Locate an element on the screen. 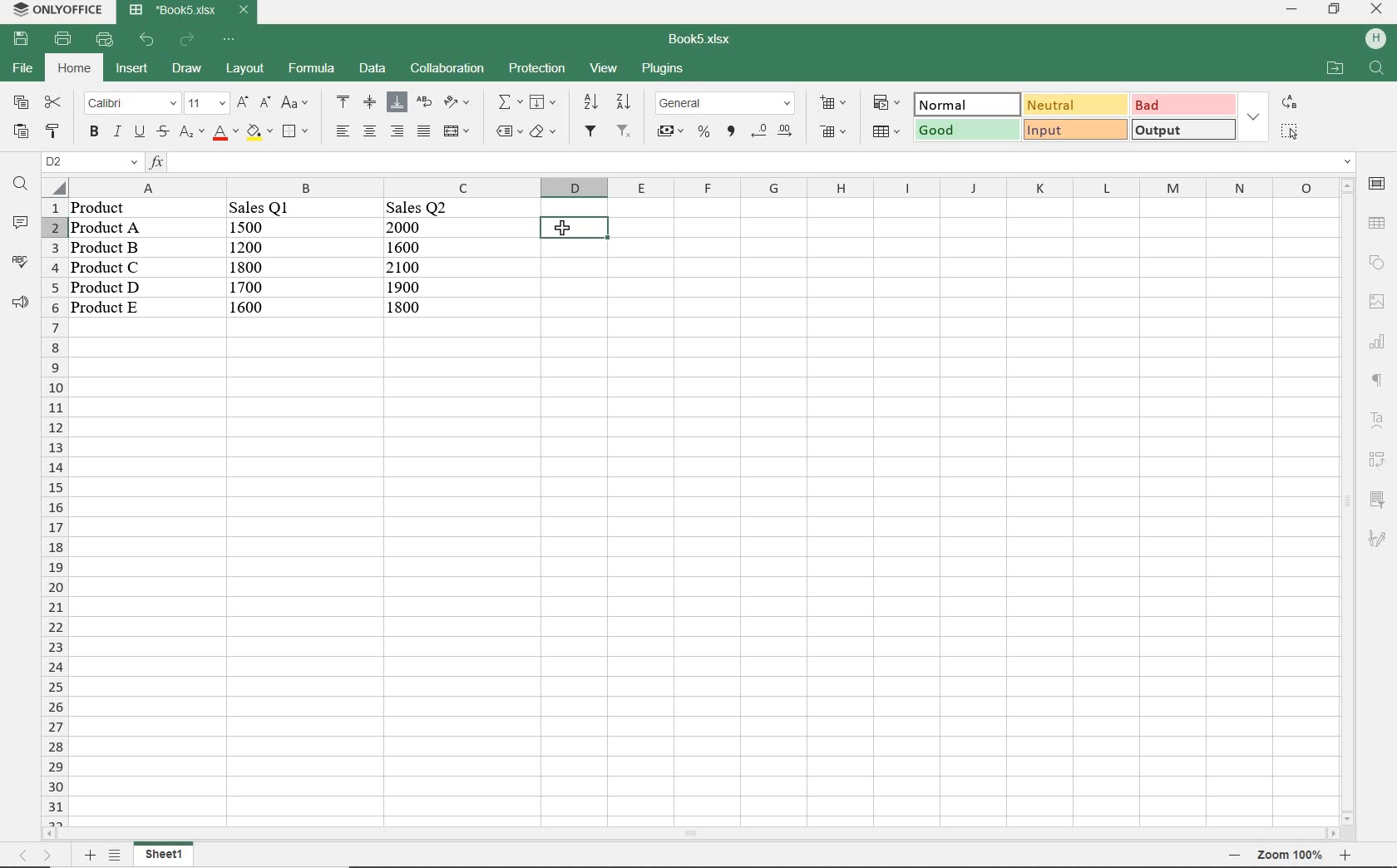 This screenshot has width=1397, height=868. chart is located at coordinates (1377, 341).